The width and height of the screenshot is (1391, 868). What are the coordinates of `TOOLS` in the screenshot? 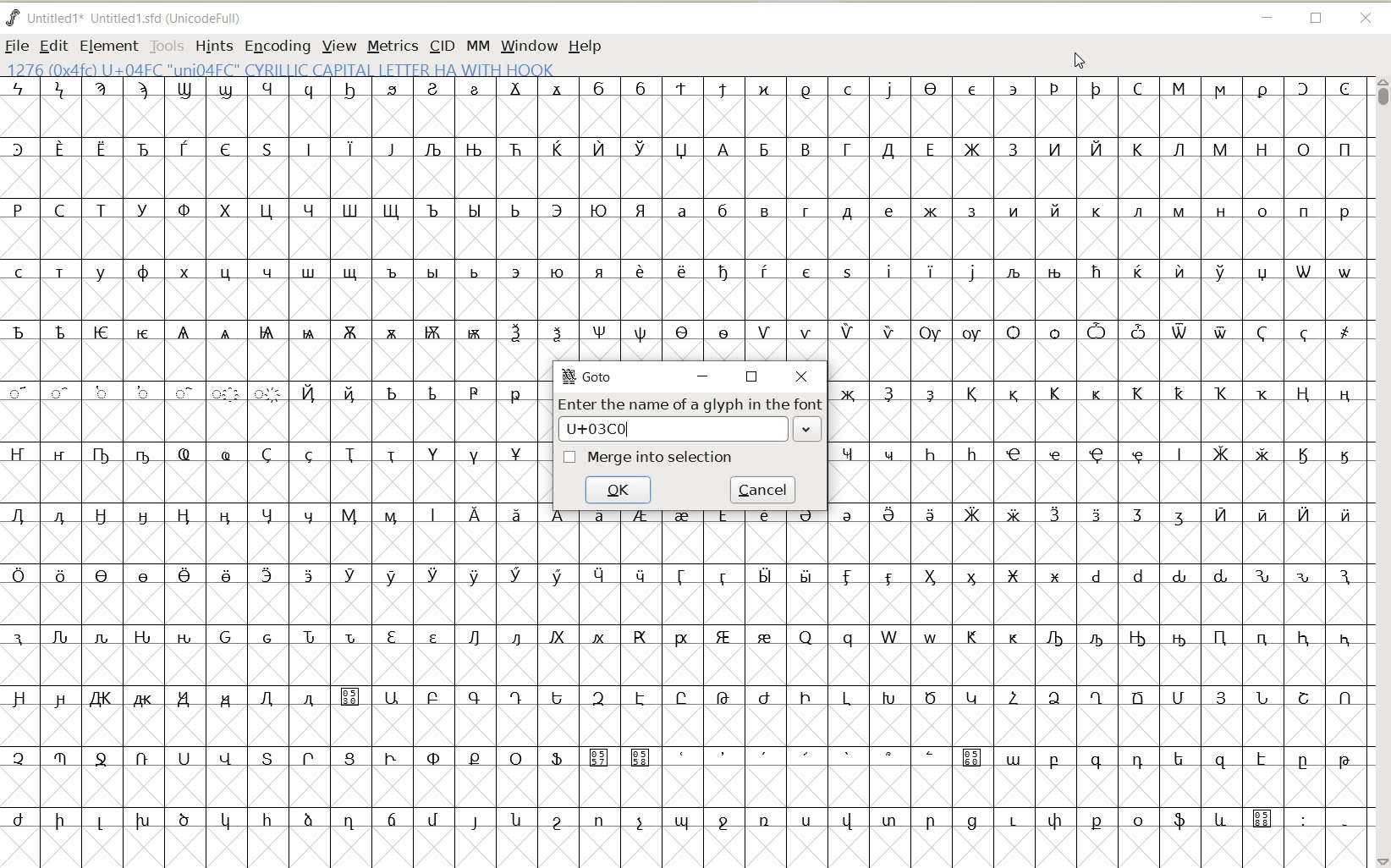 It's located at (168, 45).